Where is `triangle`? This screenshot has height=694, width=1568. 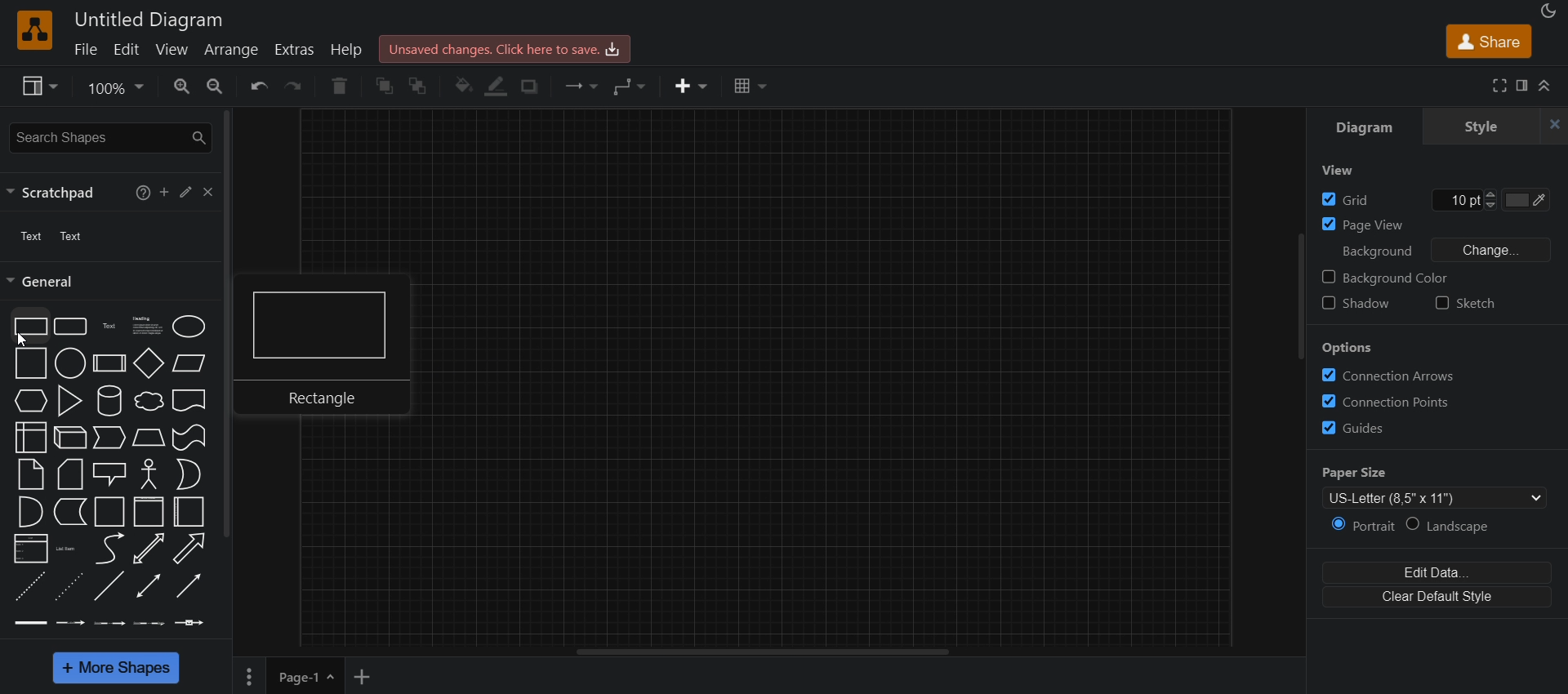
triangle is located at coordinates (69, 401).